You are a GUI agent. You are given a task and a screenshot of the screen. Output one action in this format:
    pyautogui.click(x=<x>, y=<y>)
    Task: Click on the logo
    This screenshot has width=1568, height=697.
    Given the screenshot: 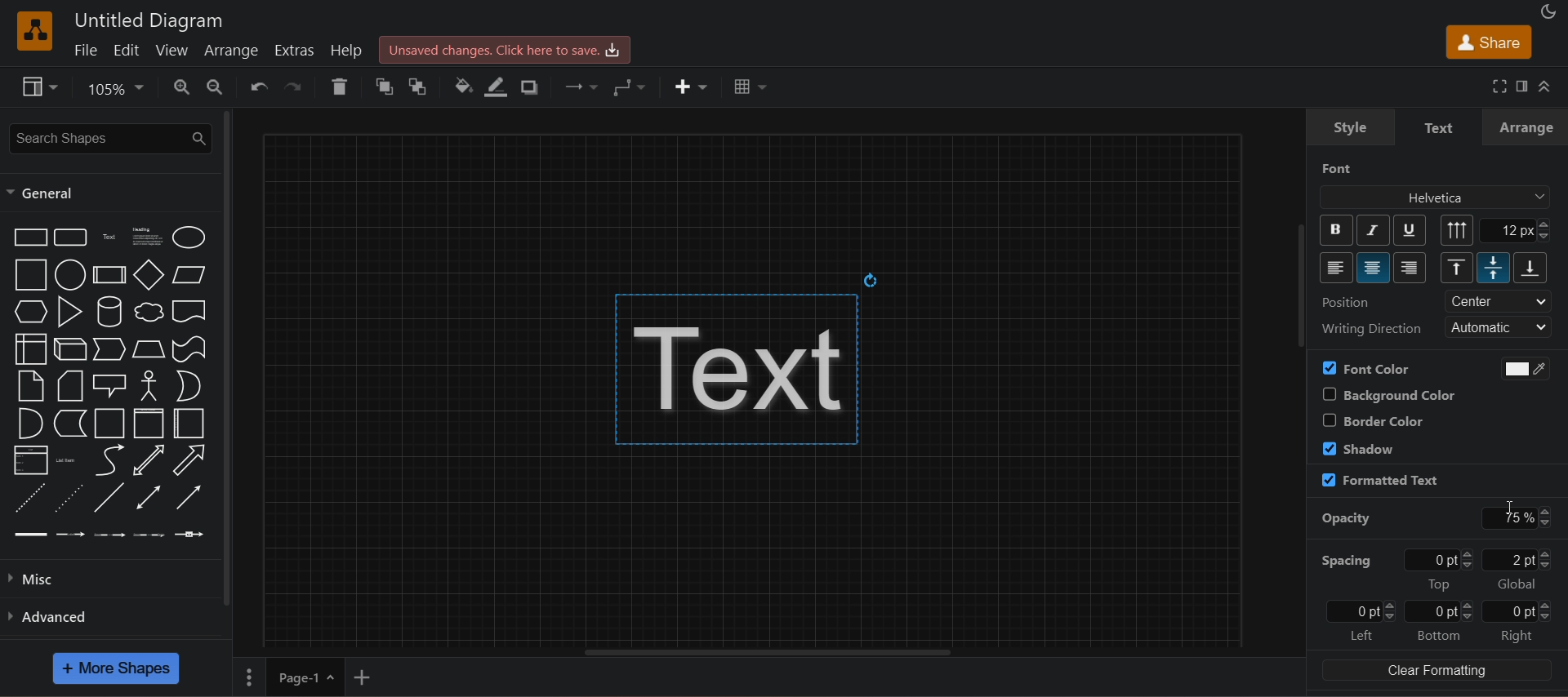 What is the action you would take?
    pyautogui.click(x=36, y=31)
    